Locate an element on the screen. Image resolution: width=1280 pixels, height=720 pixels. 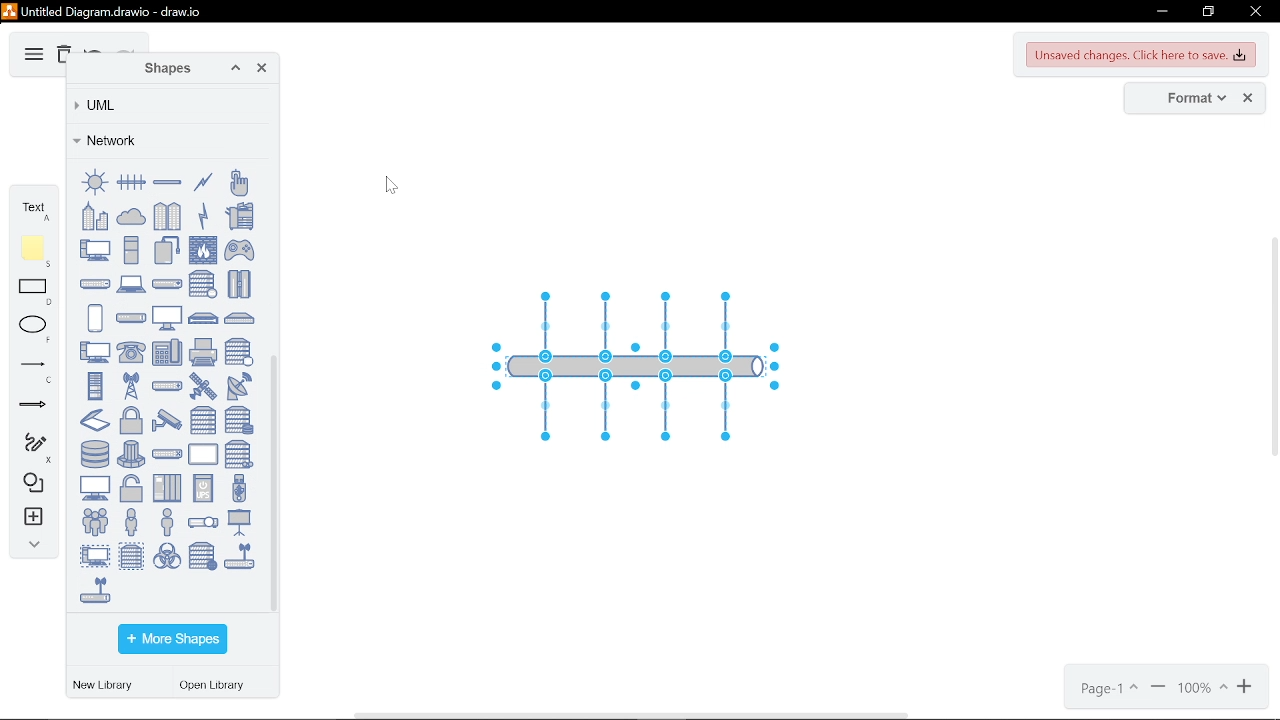
radio tower is located at coordinates (131, 385).